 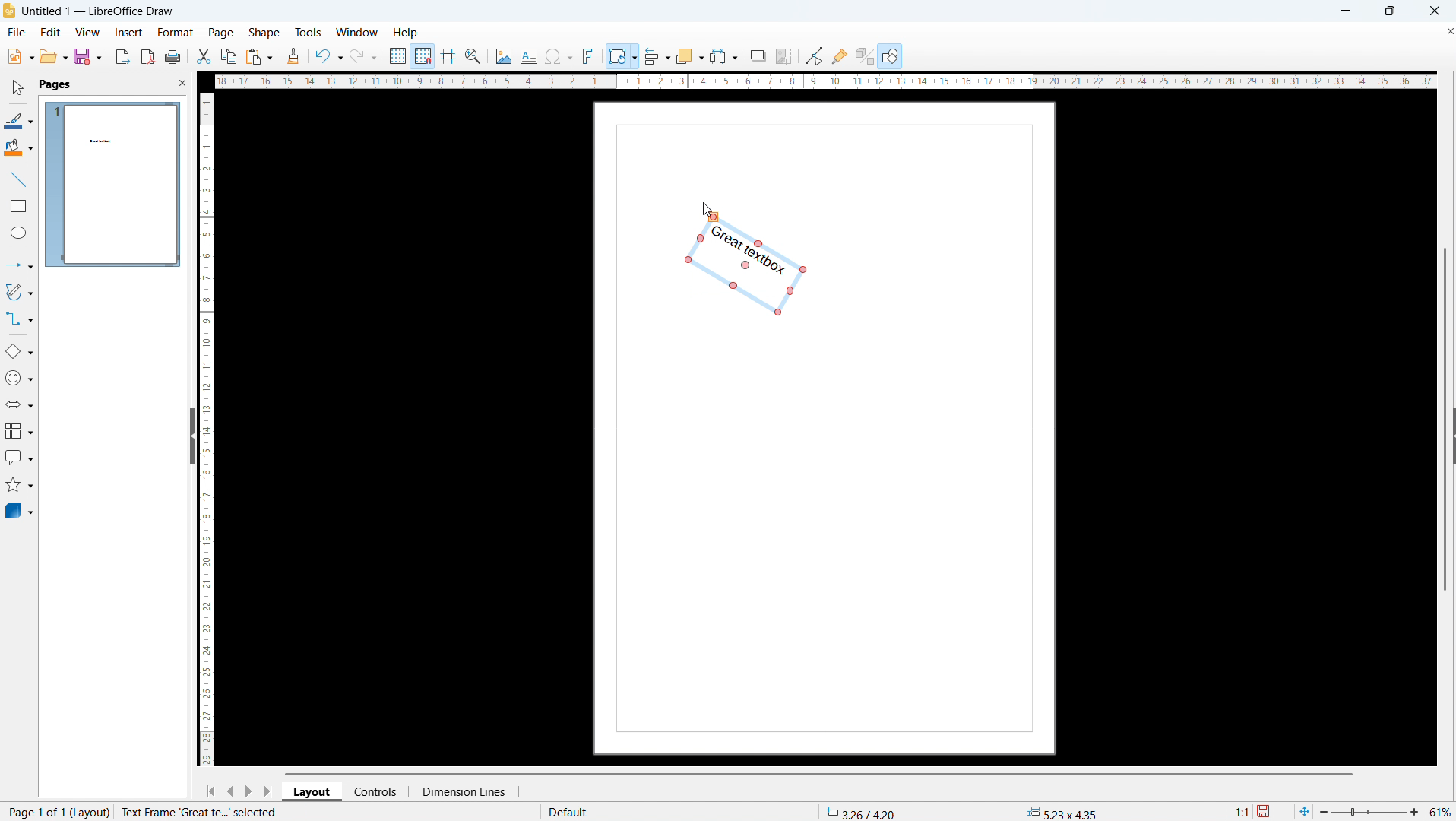 What do you see at coordinates (313, 791) in the screenshot?
I see `layout` at bounding box center [313, 791].